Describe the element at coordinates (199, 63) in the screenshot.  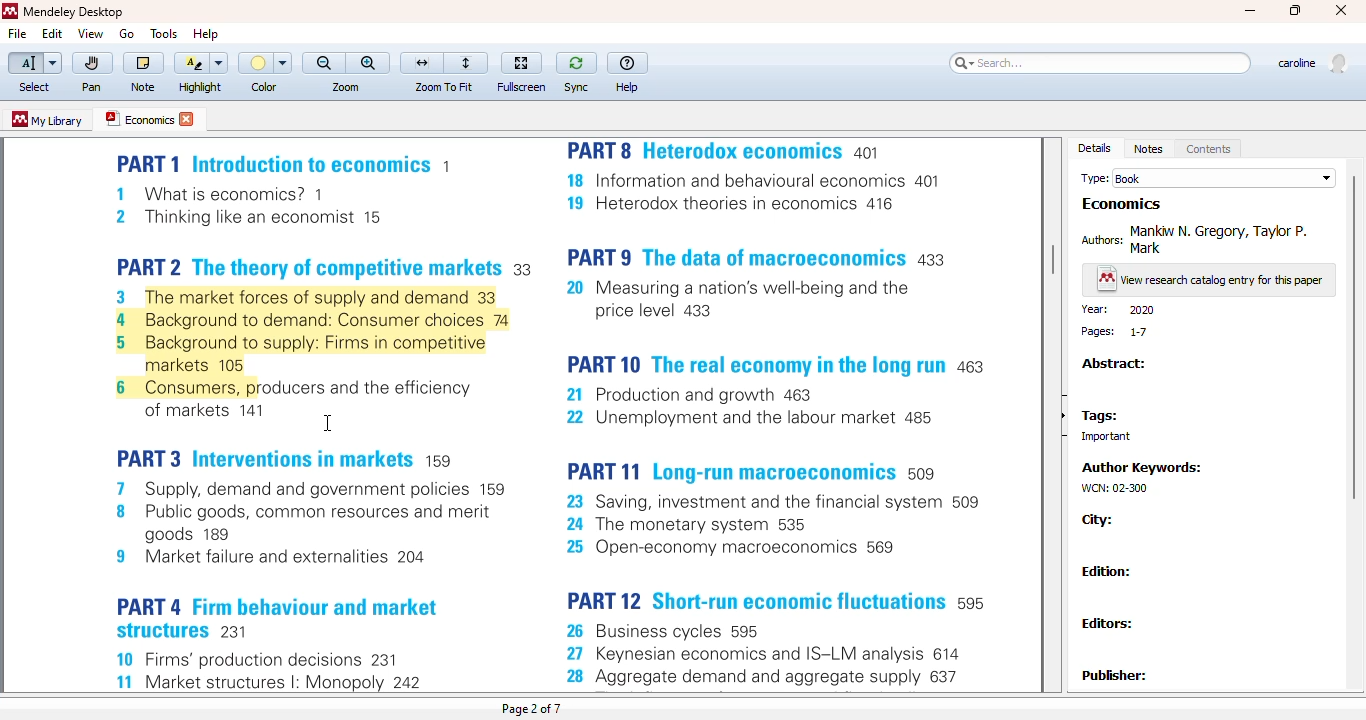
I see `highlight` at that location.